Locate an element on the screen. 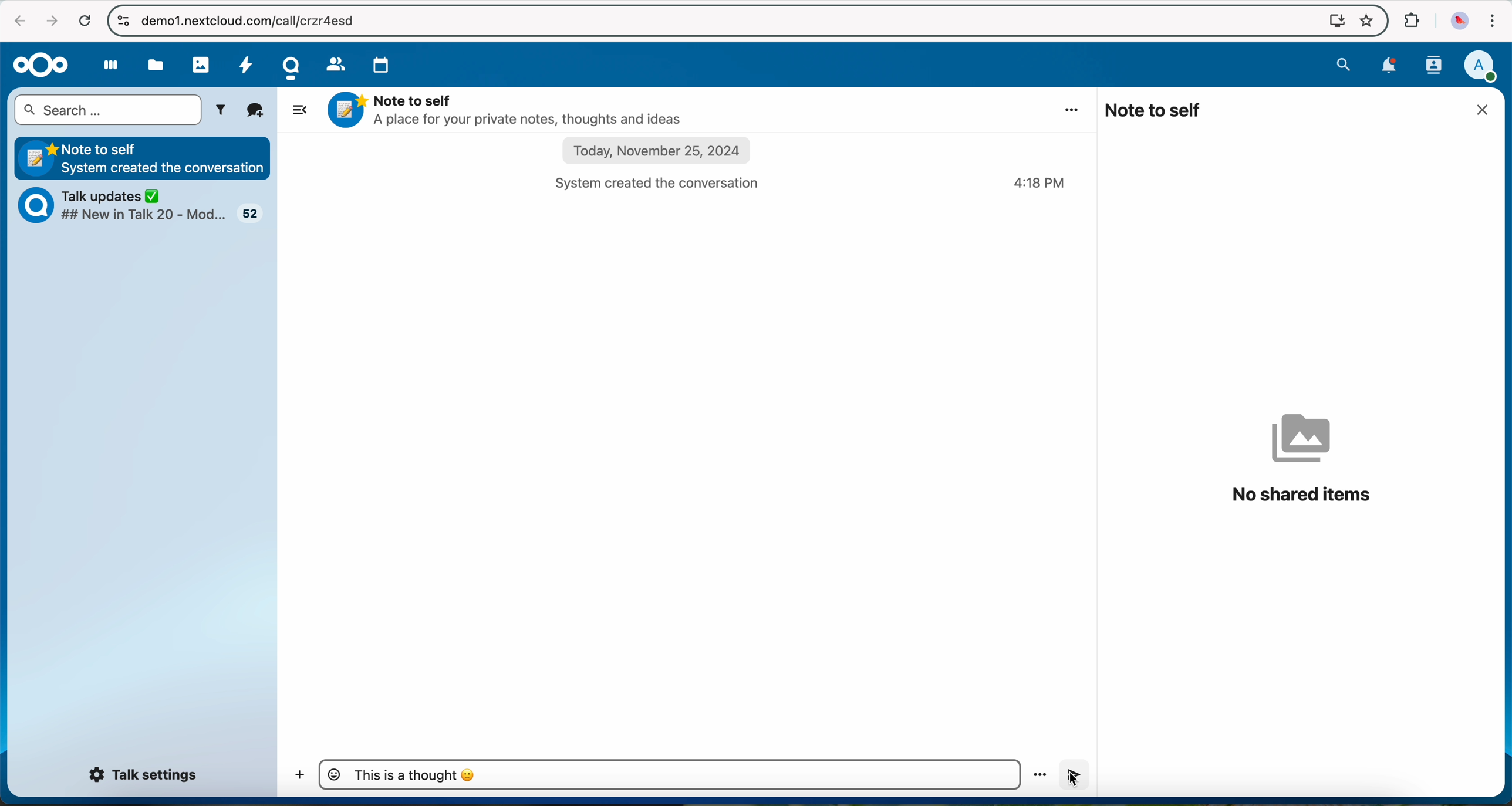  URL is located at coordinates (261, 20).